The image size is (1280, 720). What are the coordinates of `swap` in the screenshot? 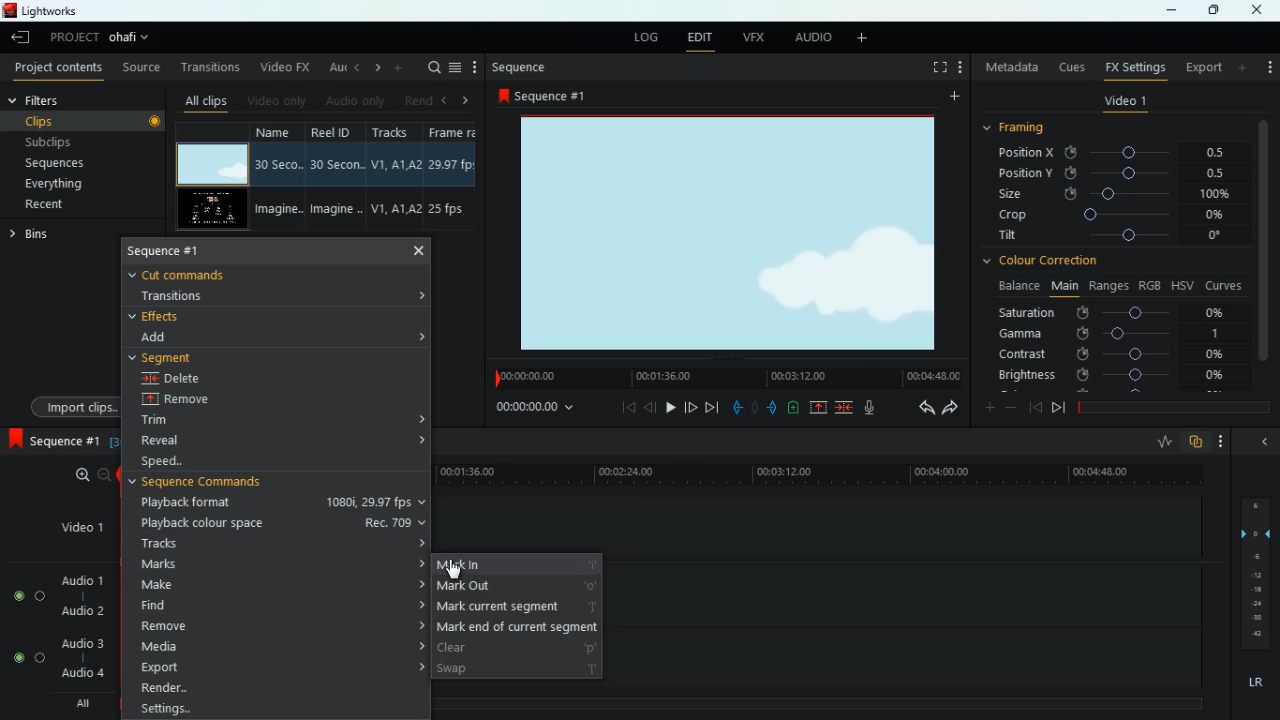 It's located at (519, 668).